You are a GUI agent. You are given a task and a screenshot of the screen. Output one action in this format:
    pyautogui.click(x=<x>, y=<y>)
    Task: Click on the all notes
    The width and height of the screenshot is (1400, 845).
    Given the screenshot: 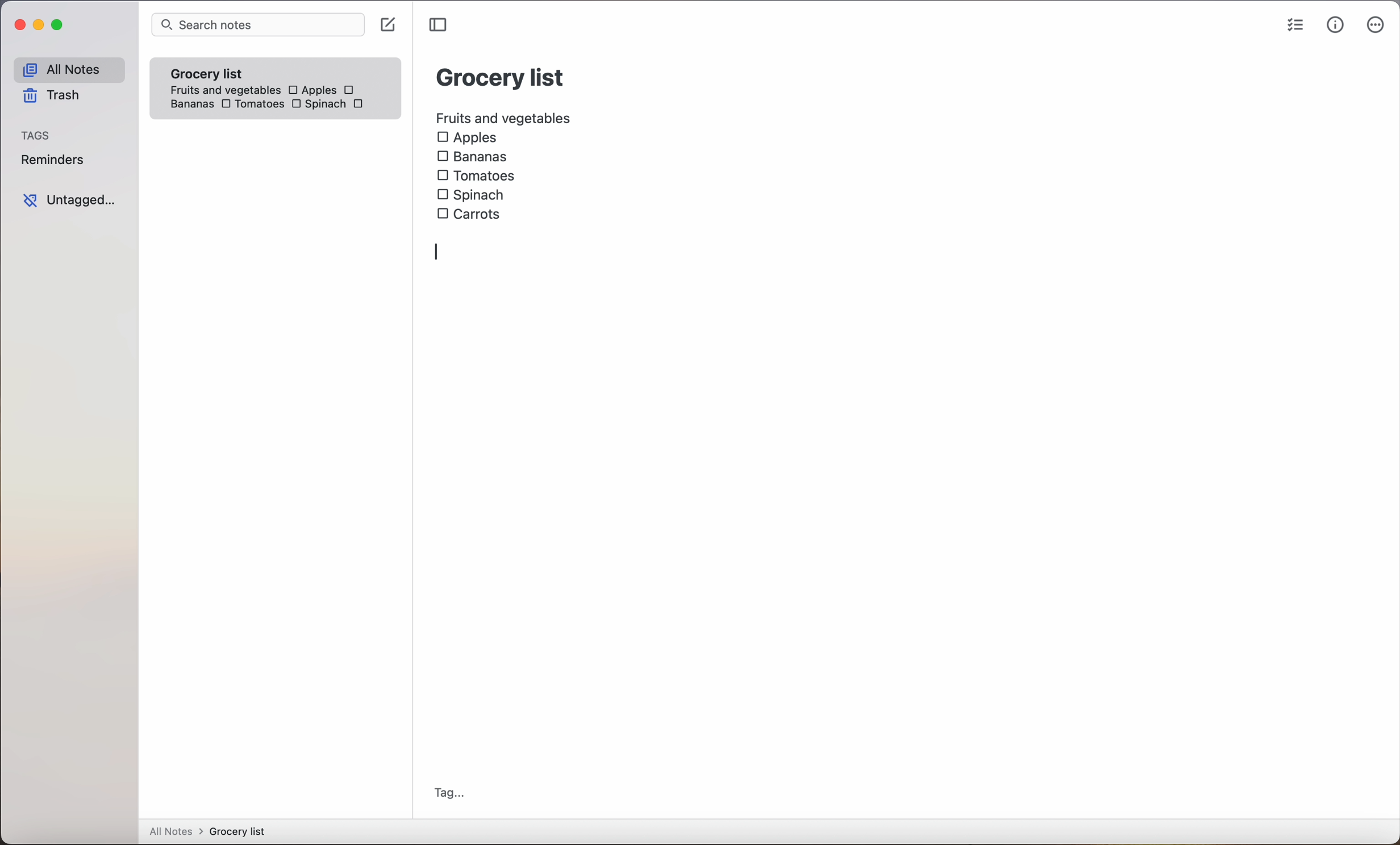 What is the action you would take?
    pyautogui.click(x=68, y=70)
    